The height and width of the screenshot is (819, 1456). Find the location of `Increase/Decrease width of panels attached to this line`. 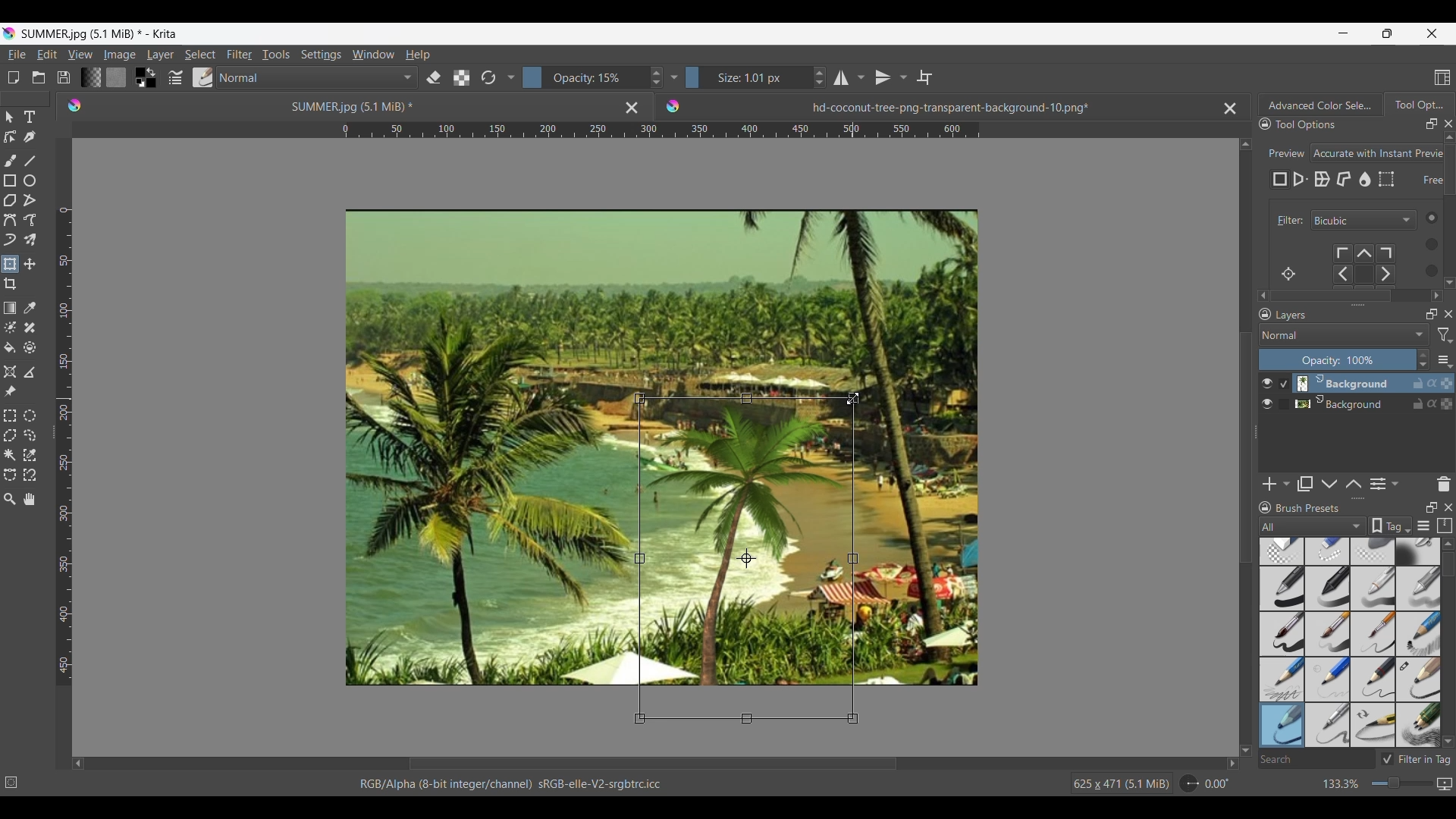

Increase/Decrease width of panels attached to this line is located at coordinates (1358, 304).